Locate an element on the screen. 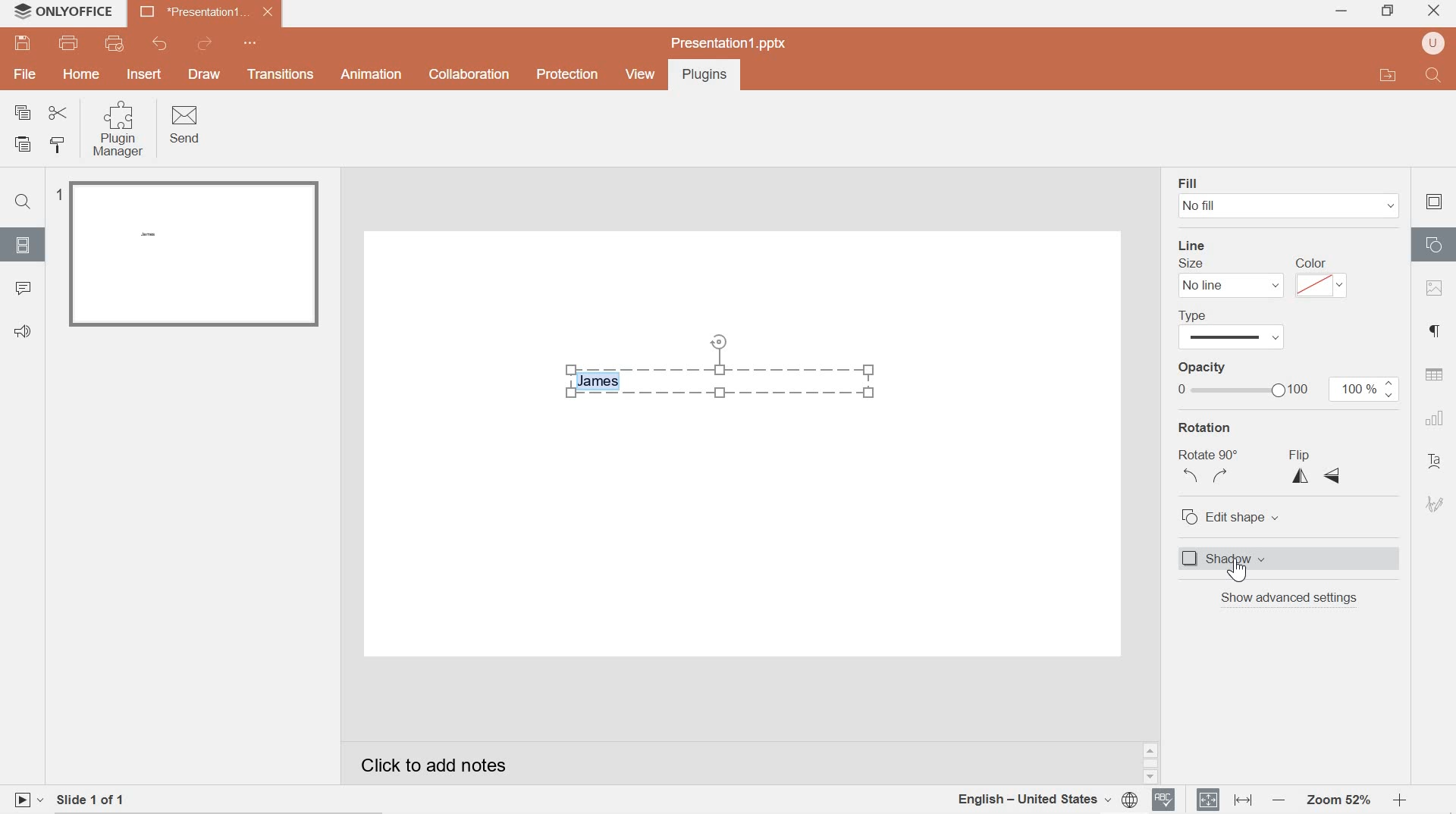 This screenshot has width=1456, height=814. quick print is located at coordinates (120, 44).